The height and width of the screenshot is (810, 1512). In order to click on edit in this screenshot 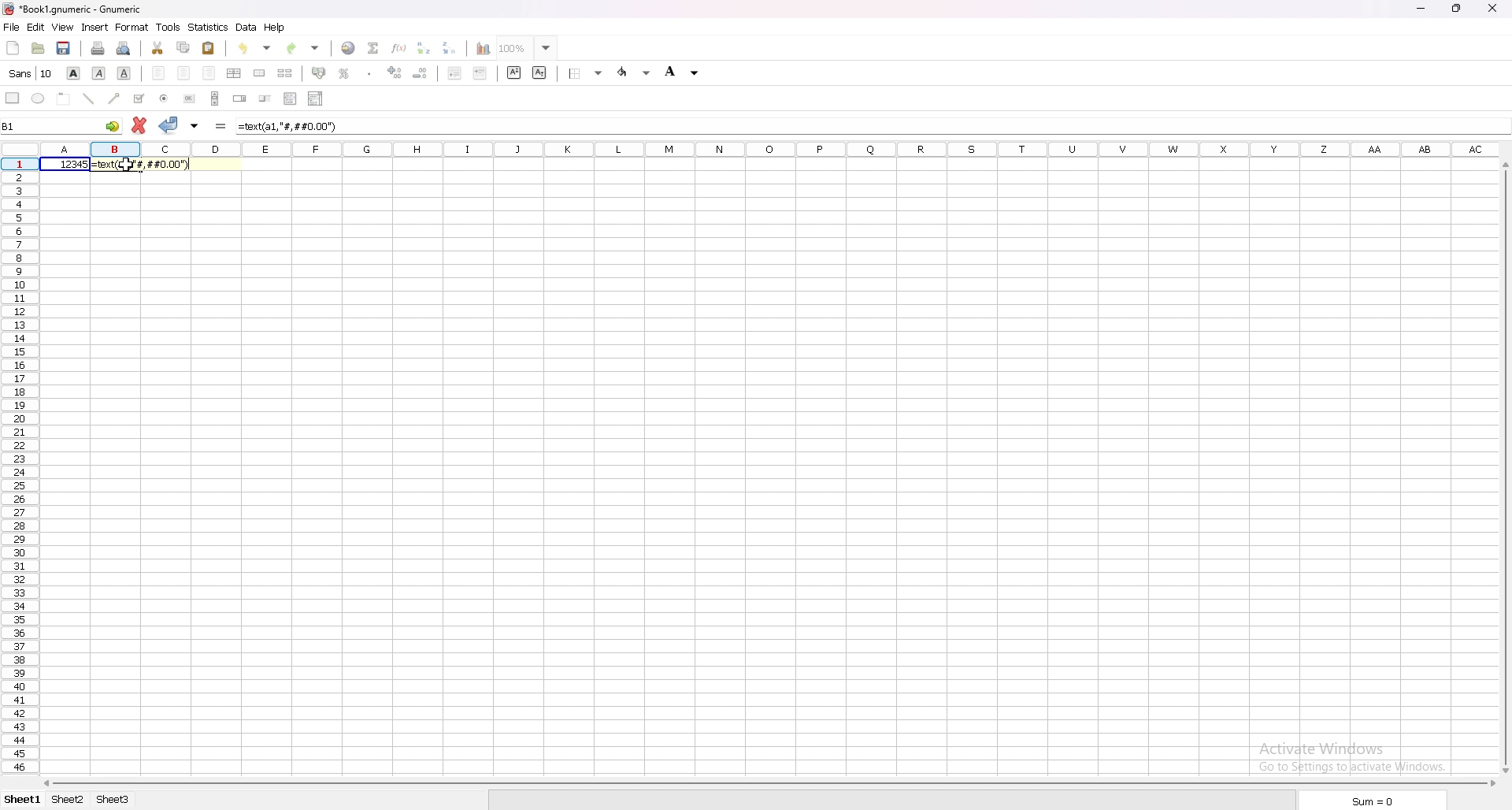, I will do `click(35, 27)`.